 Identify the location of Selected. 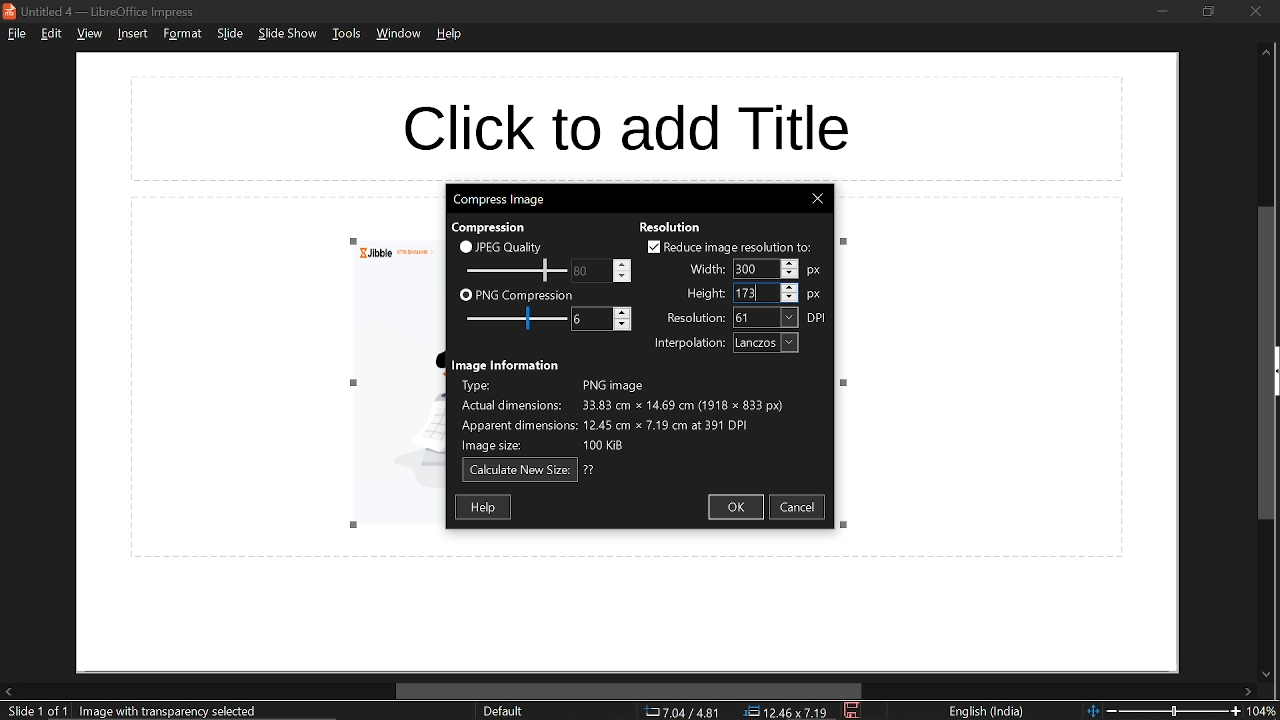
(749, 269).